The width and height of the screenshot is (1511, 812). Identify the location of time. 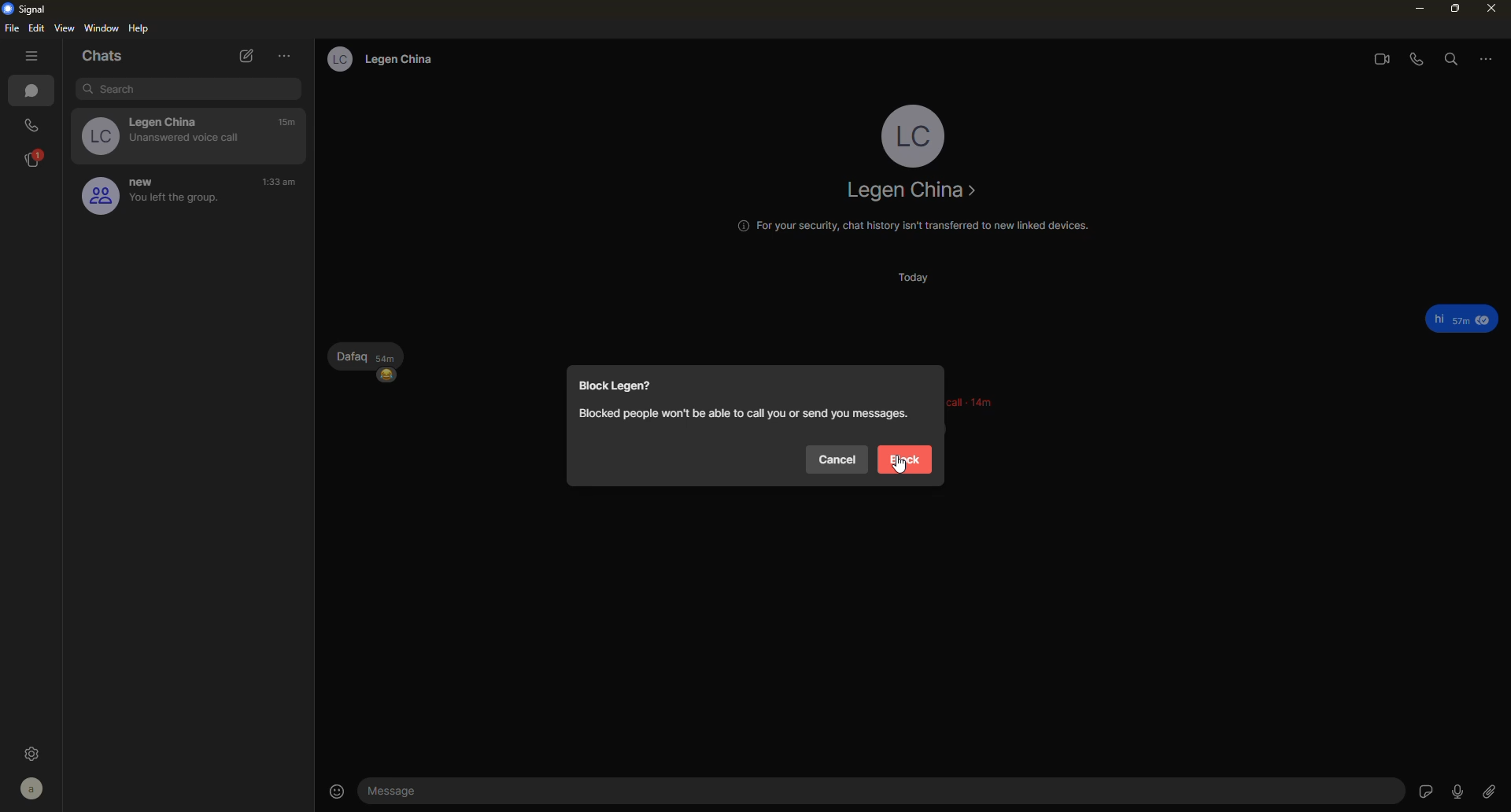
(281, 183).